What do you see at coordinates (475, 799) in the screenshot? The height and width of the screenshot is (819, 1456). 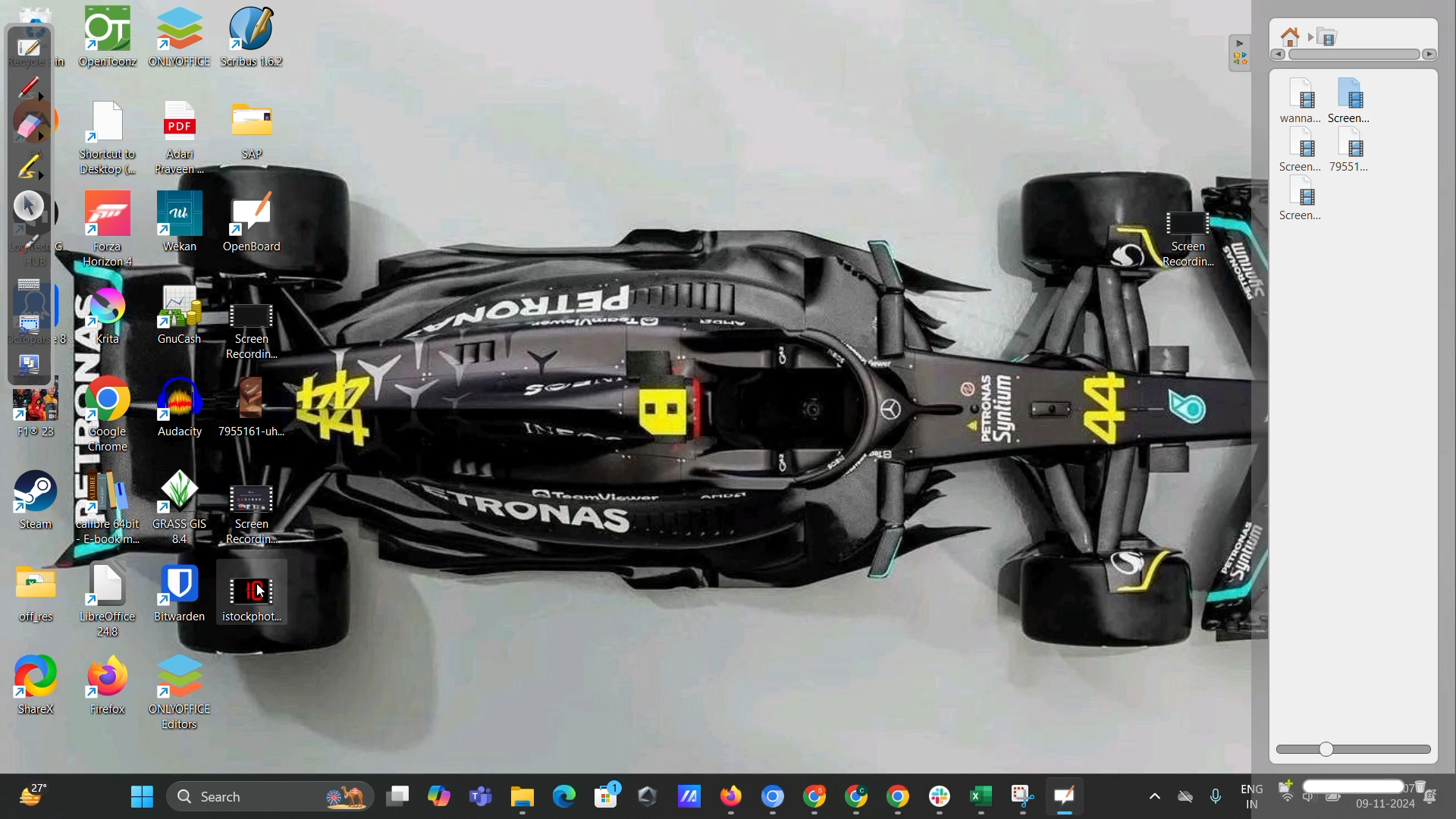 I see `Microsoft teams` at bounding box center [475, 799].